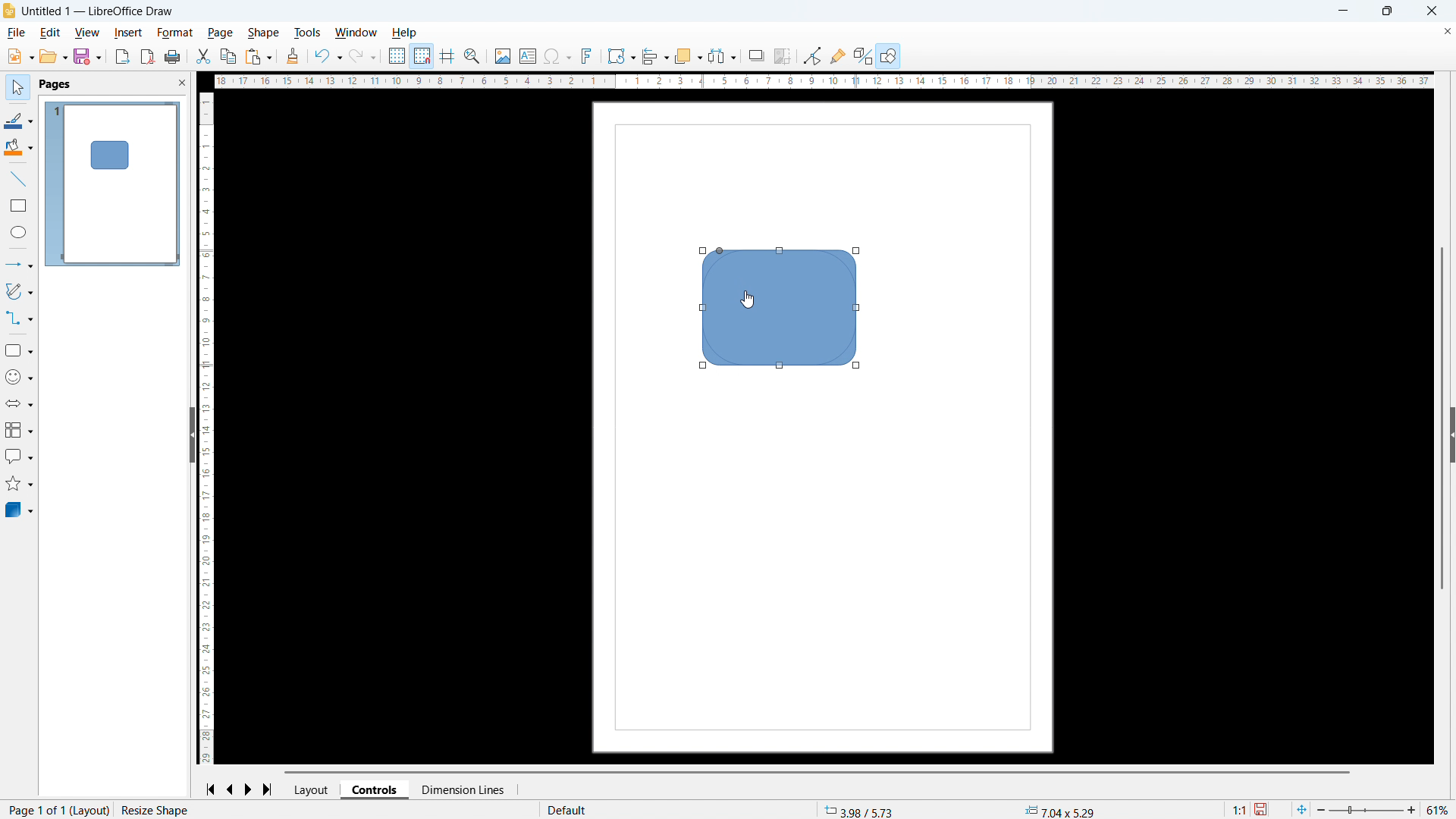 This screenshot has height=819, width=1456. I want to click on Show grid, so click(397, 57).